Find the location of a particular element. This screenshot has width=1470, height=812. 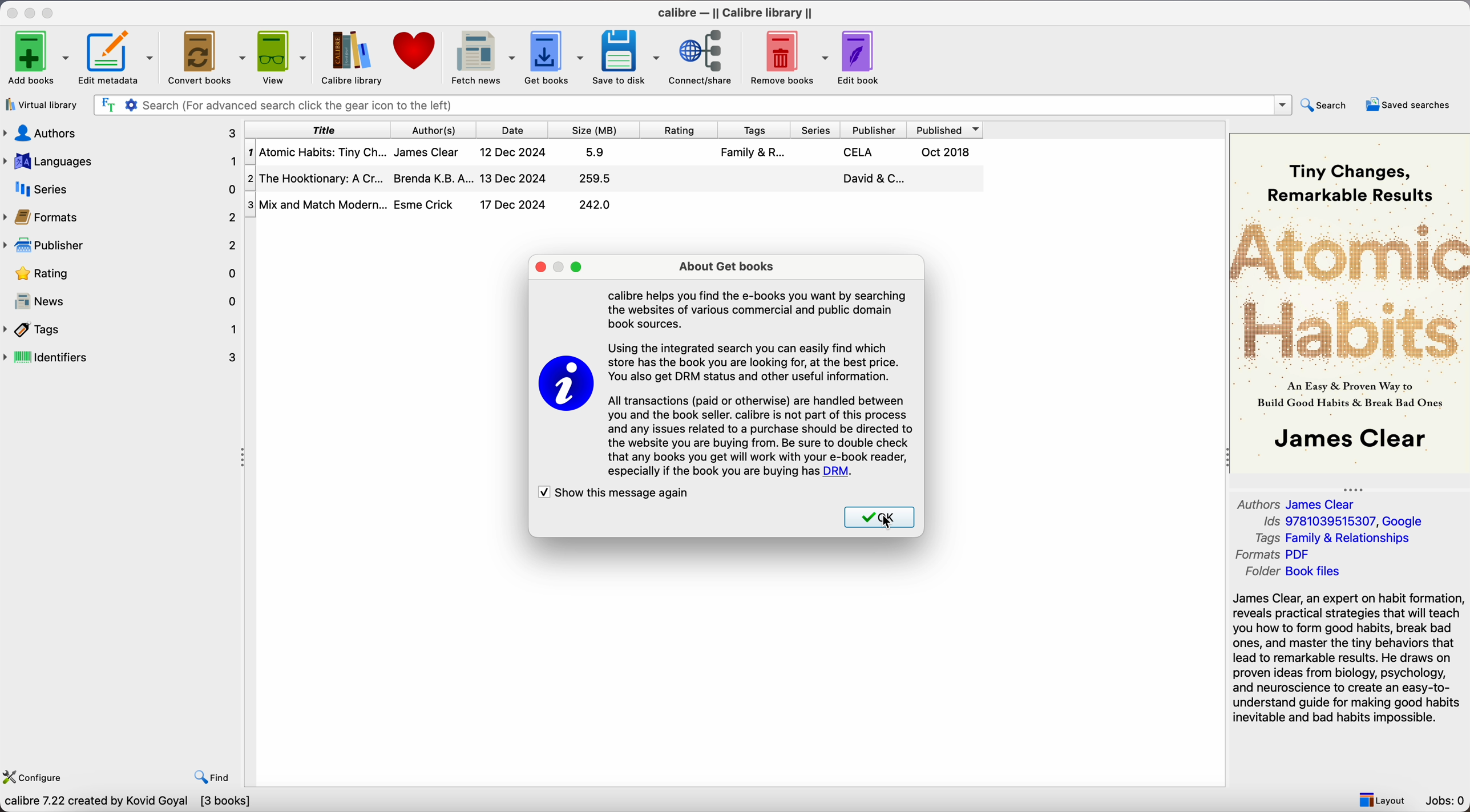

date is located at coordinates (515, 130).